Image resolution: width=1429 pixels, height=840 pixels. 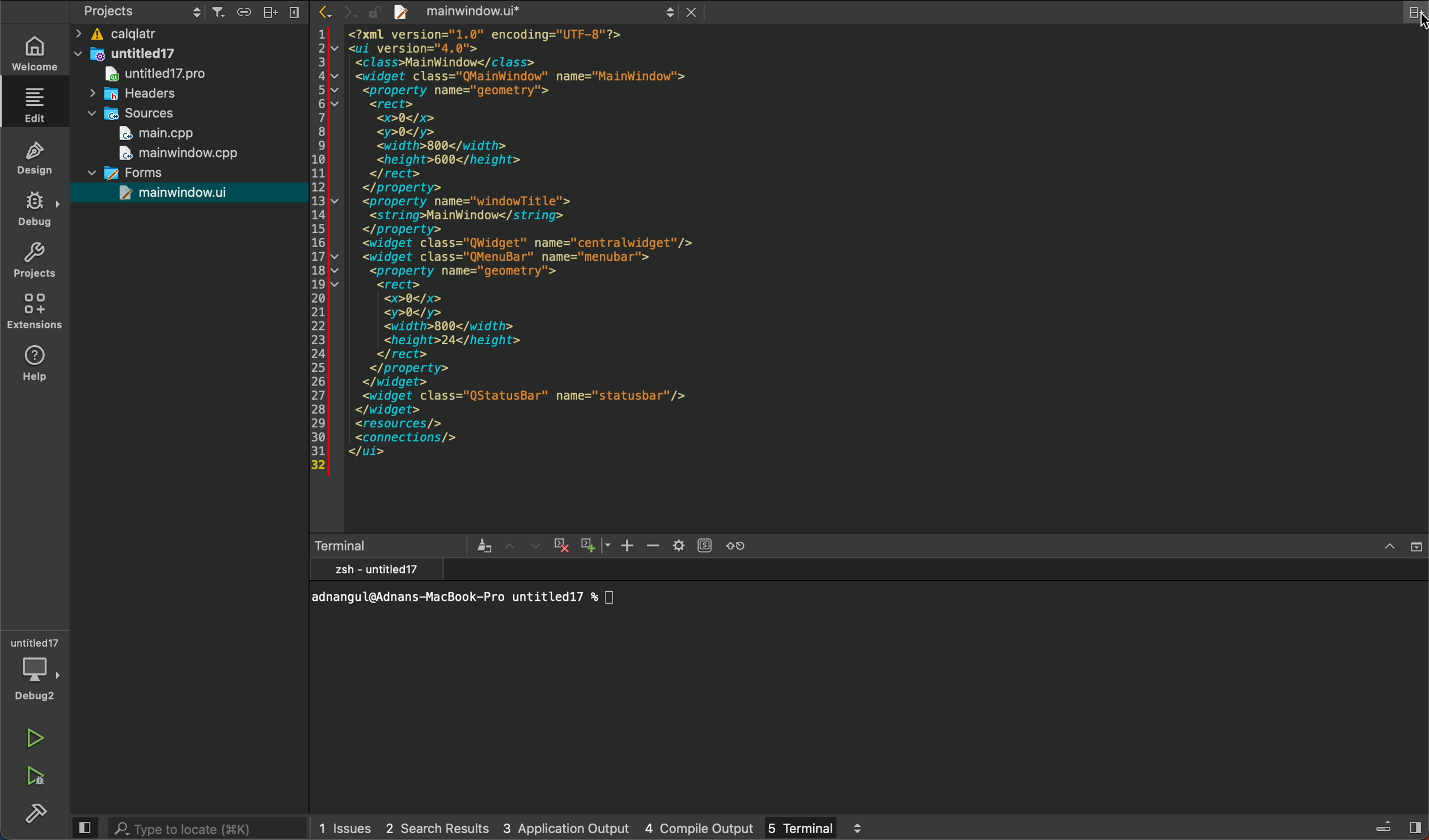 I want to click on terminal, so click(x=813, y=826).